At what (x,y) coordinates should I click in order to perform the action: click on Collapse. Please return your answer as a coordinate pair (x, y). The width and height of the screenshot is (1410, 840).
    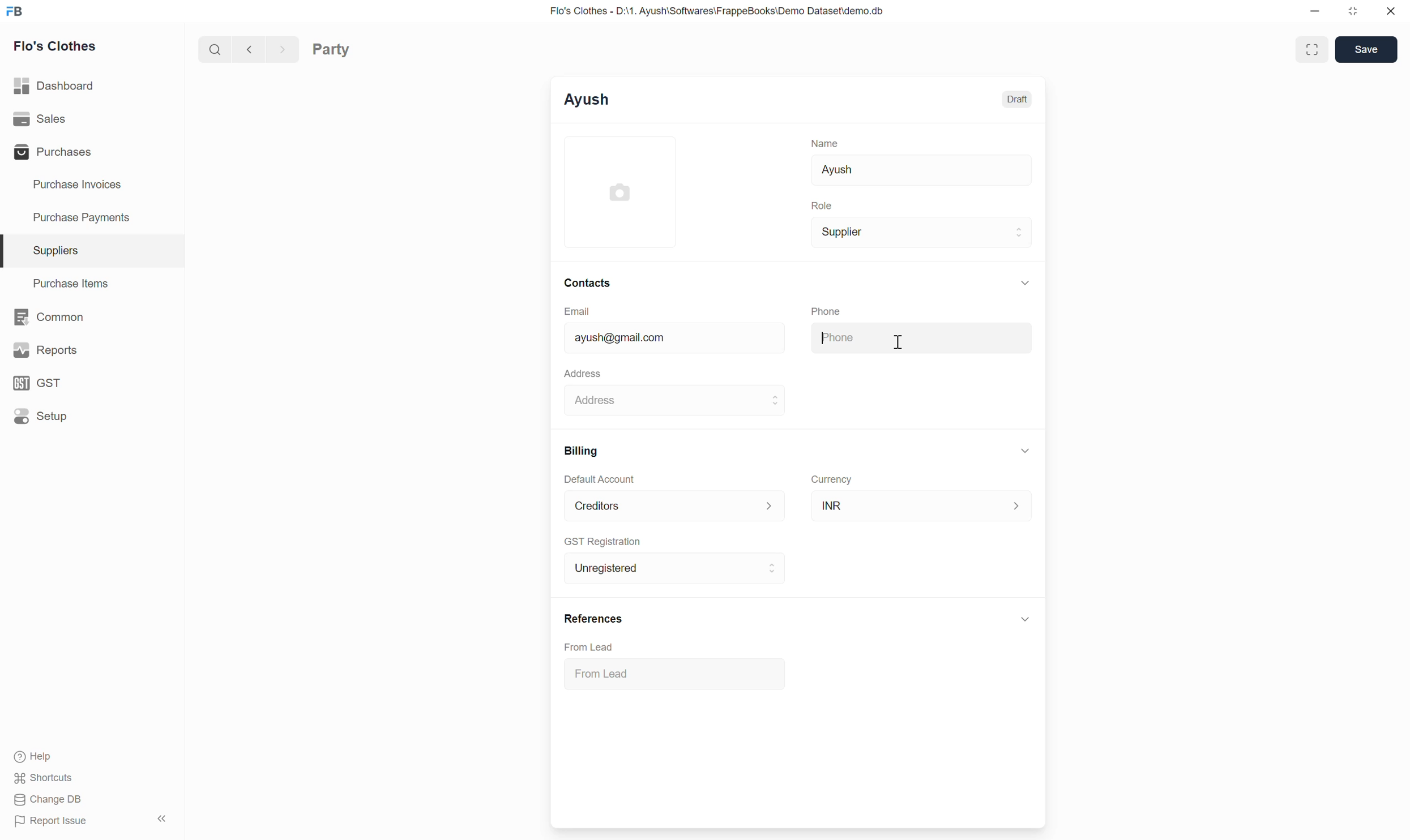
    Looking at the image, I should click on (1025, 283).